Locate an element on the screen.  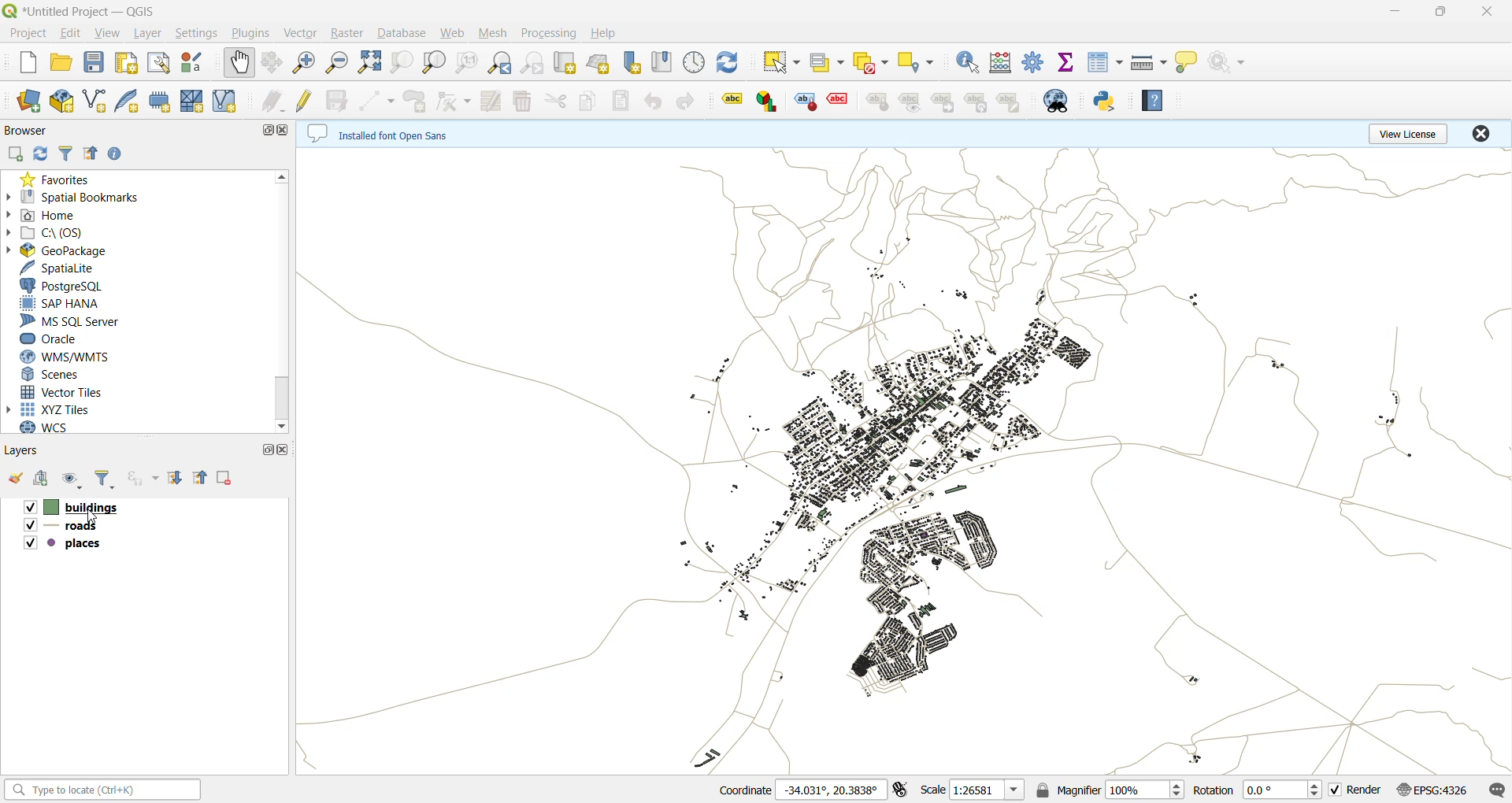
minimize is located at coordinates (1395, 9).